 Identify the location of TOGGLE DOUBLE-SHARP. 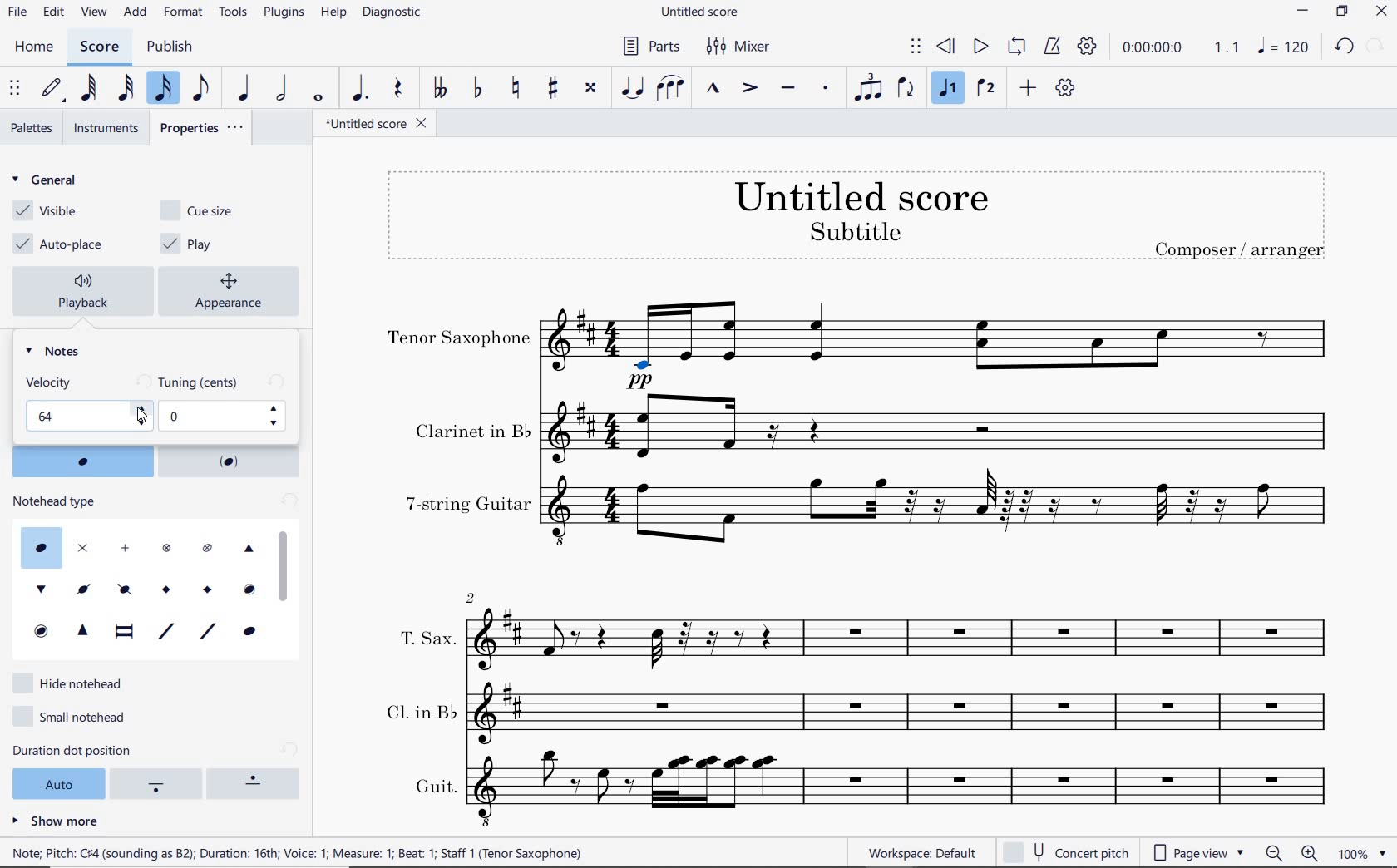
(592, 90).